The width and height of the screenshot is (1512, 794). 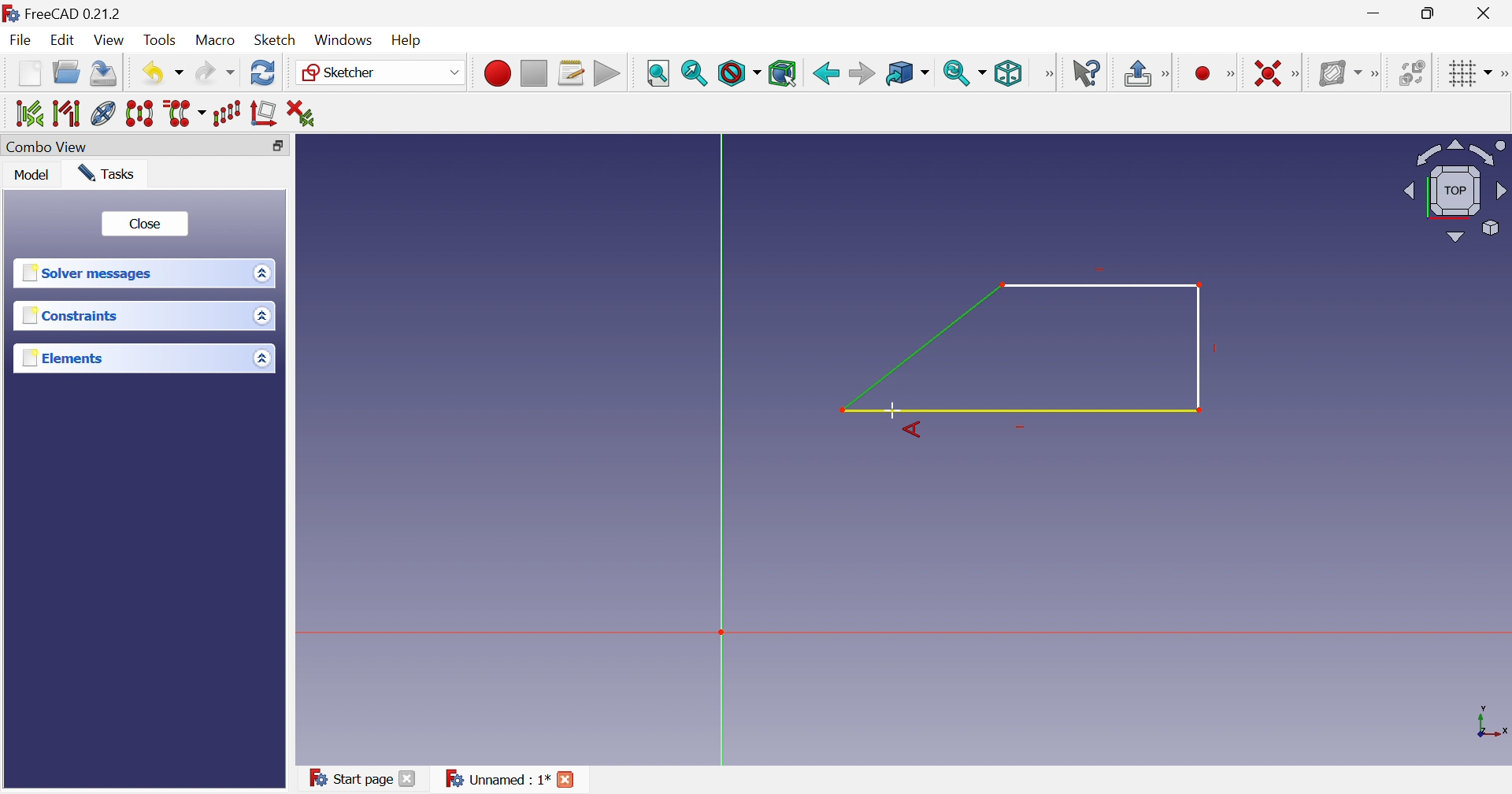 What do you see at coordinates (957, 73) in the screenshot?
I see `Sync view` at bounding box center [957, 73].